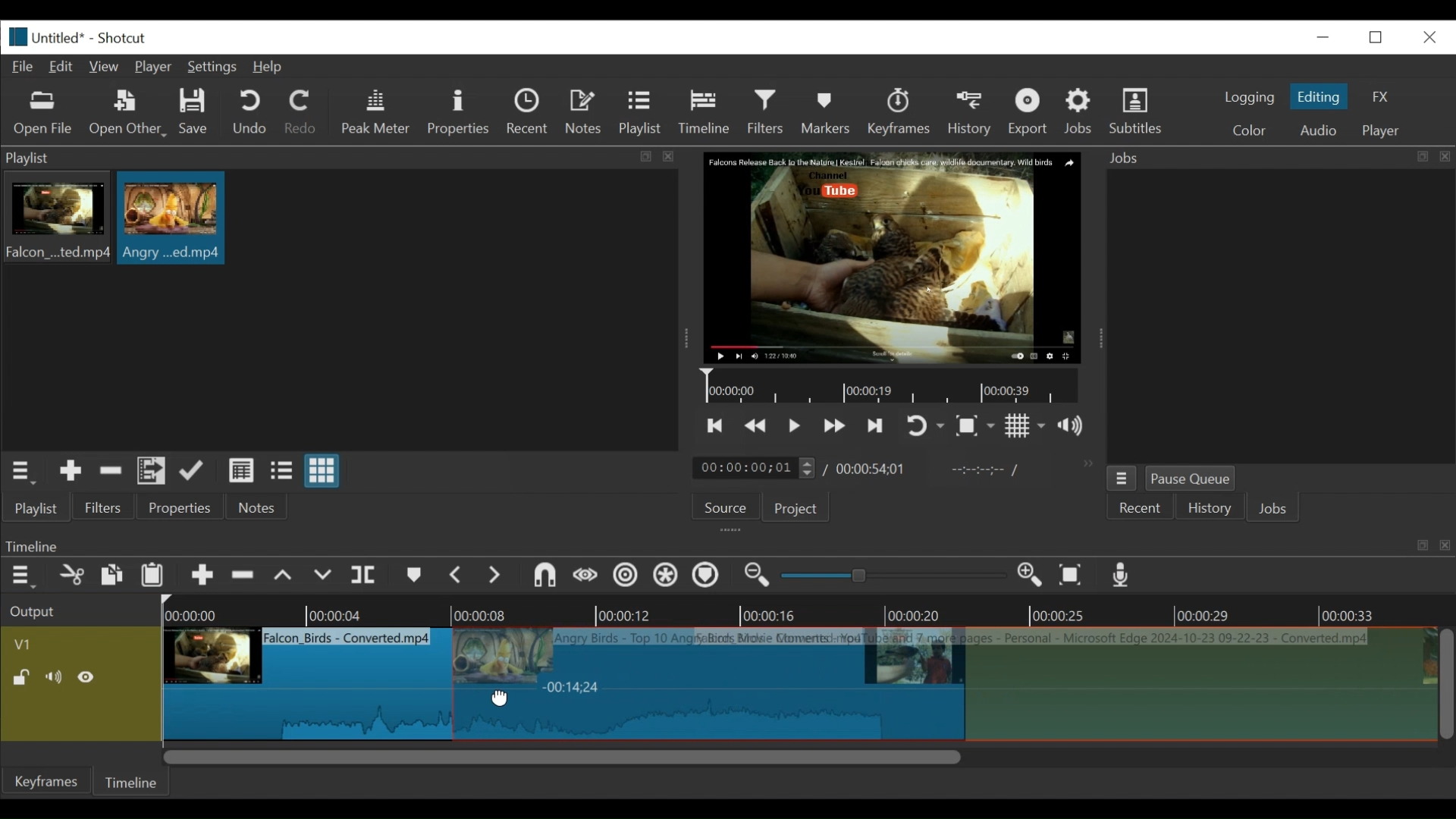 This screenshot has width=1456, height=819. I want to click on Help, so click(268, 67).